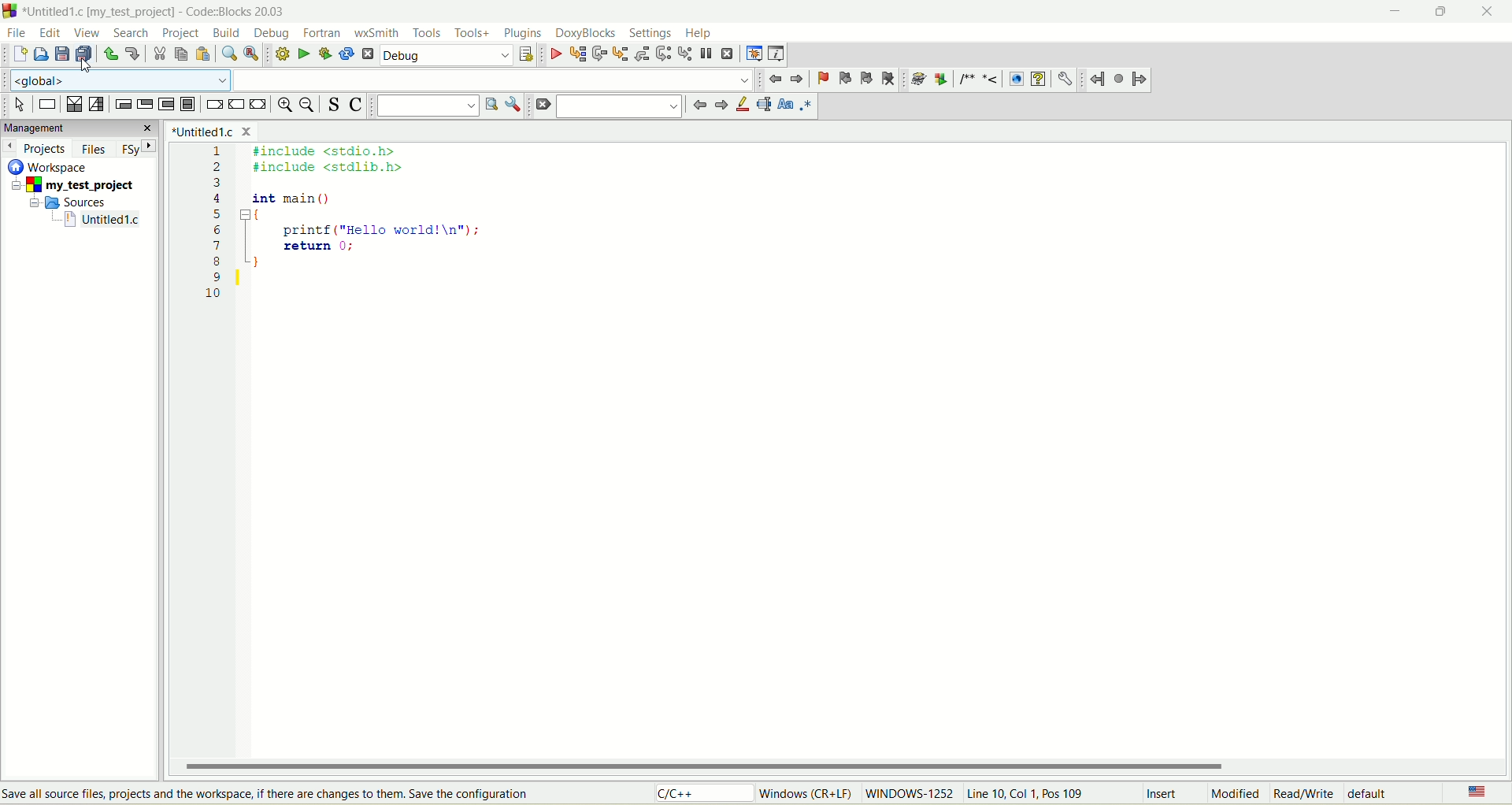  I want to click on windows (CR+LF), so click(802, 793).